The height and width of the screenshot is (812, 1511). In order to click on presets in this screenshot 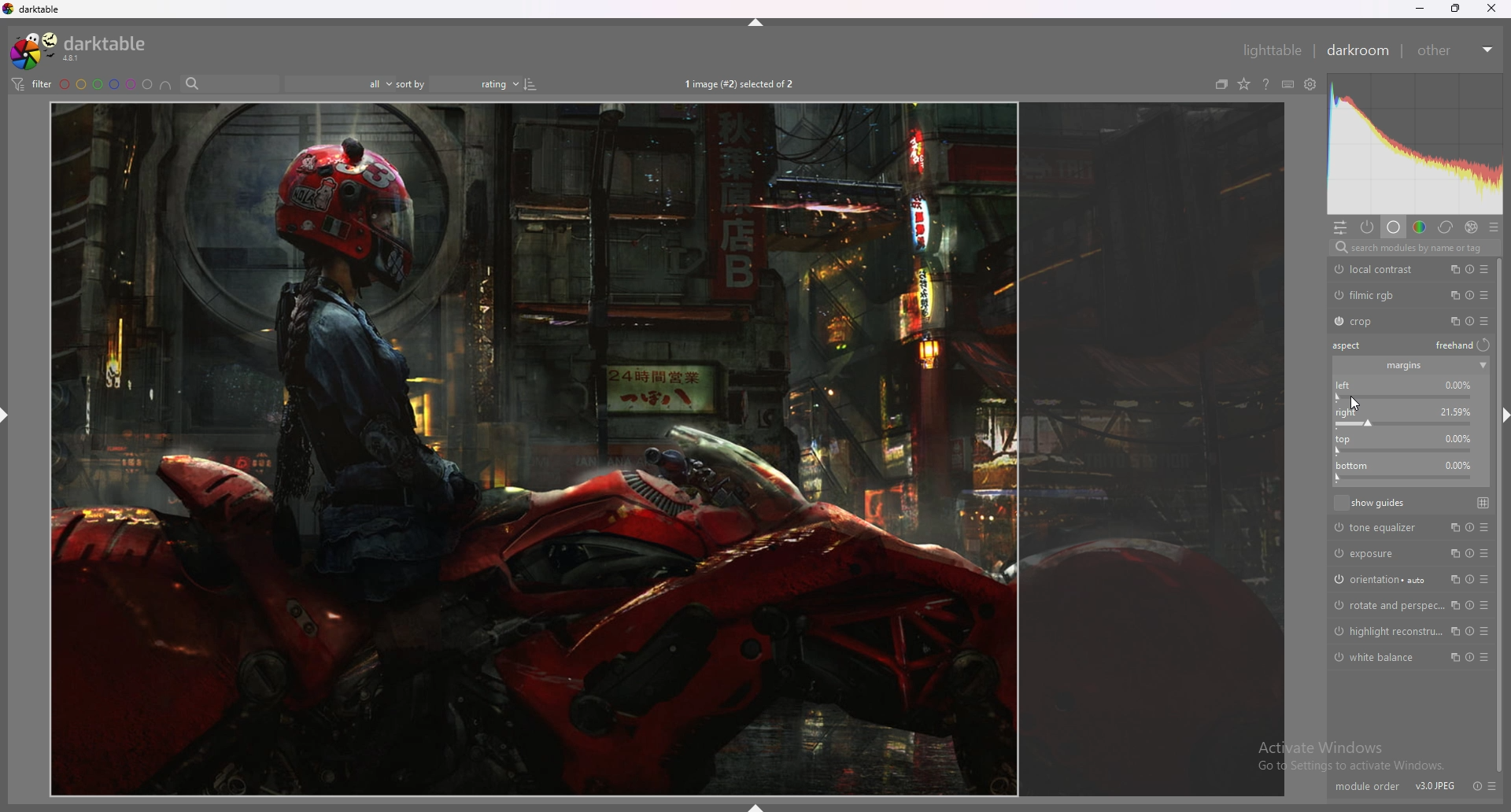, I will do `click(1484, 295)`.